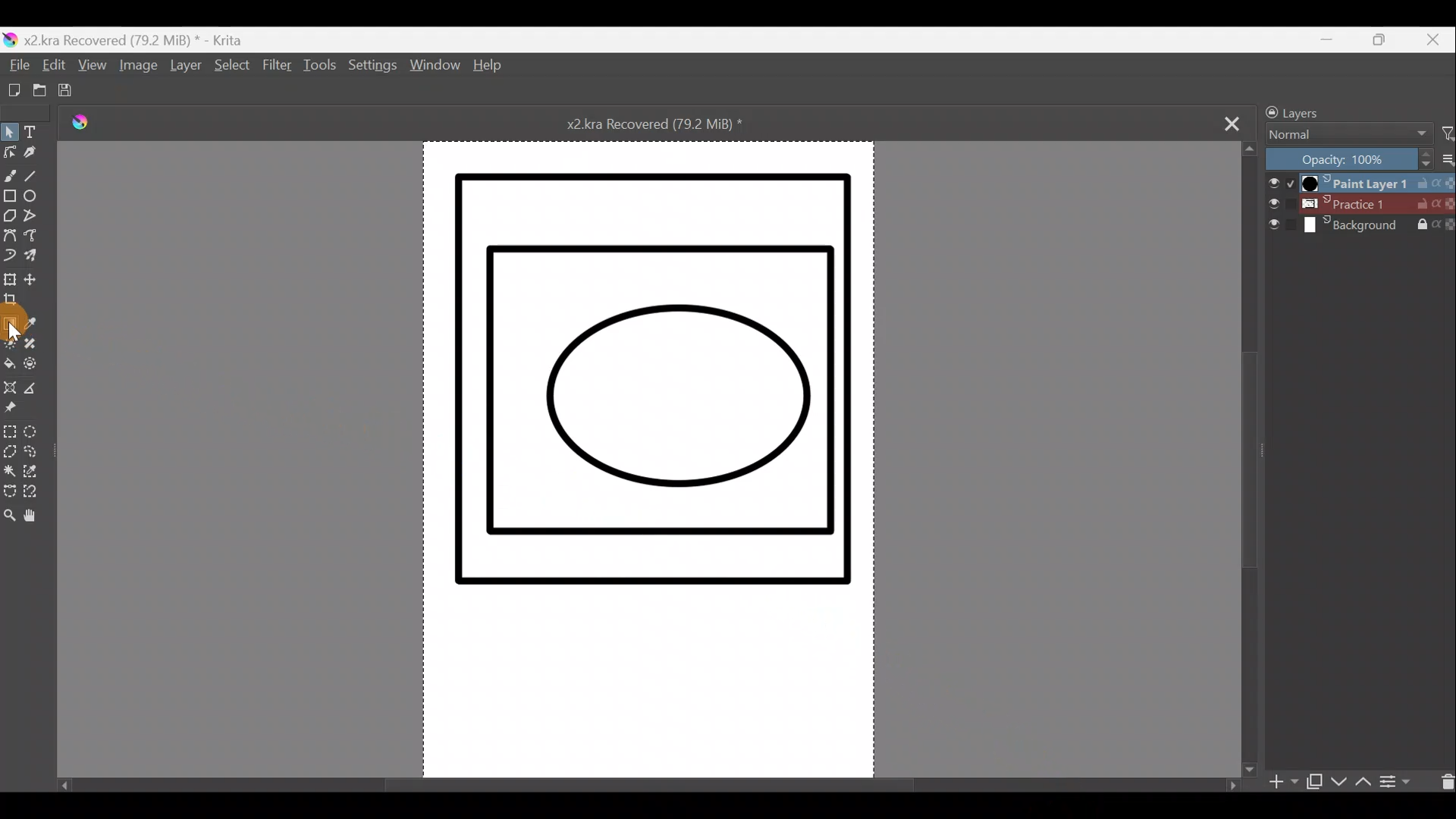 The width and height of the screenshot is (1456, 819). Describe the element at coordinates (9, 434) in the screenshot. I see `Rectangular selection tool` at that location.